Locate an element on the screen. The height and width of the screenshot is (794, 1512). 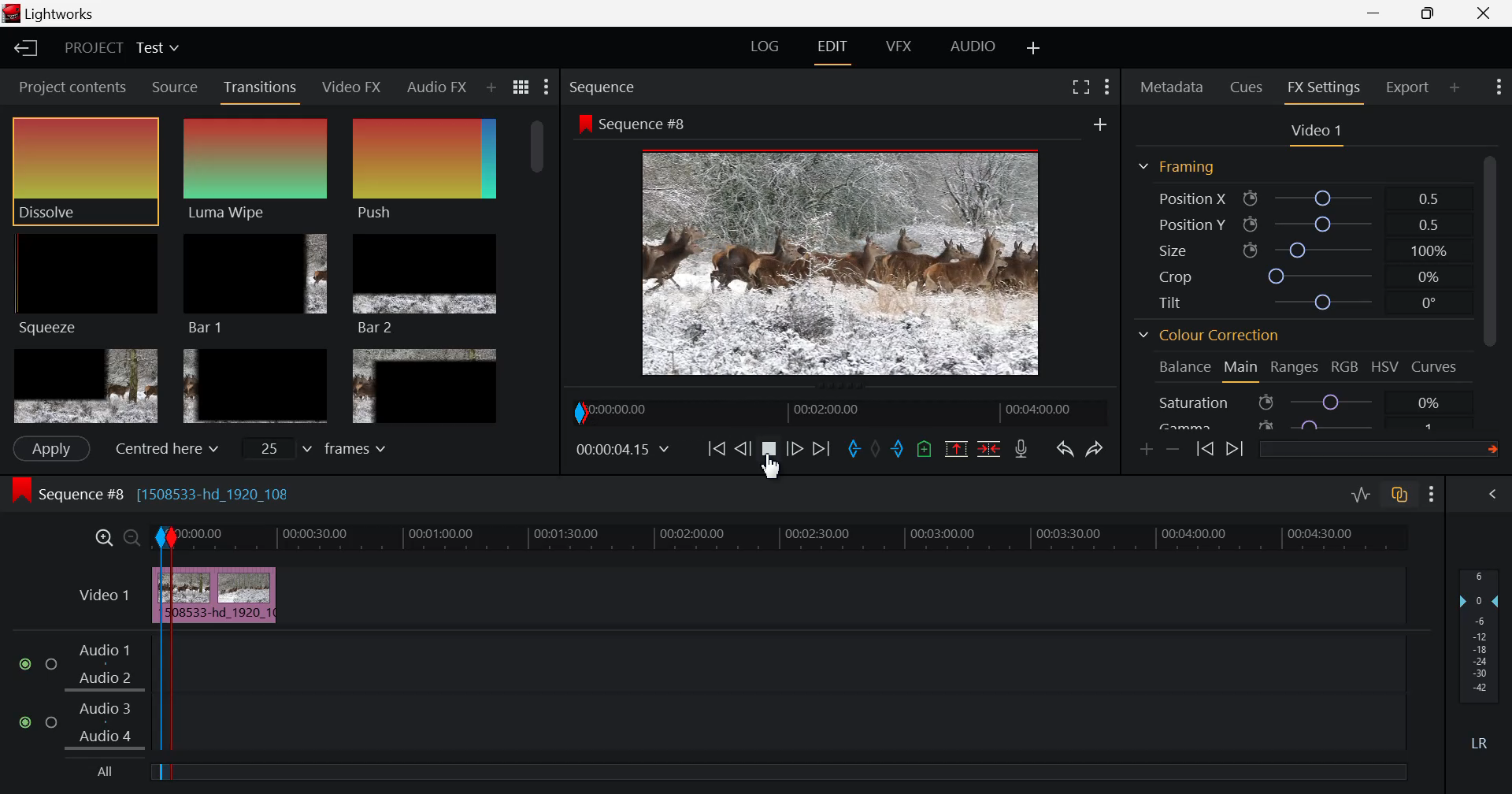
Next keyframe is located at coordinates (1235, 451).